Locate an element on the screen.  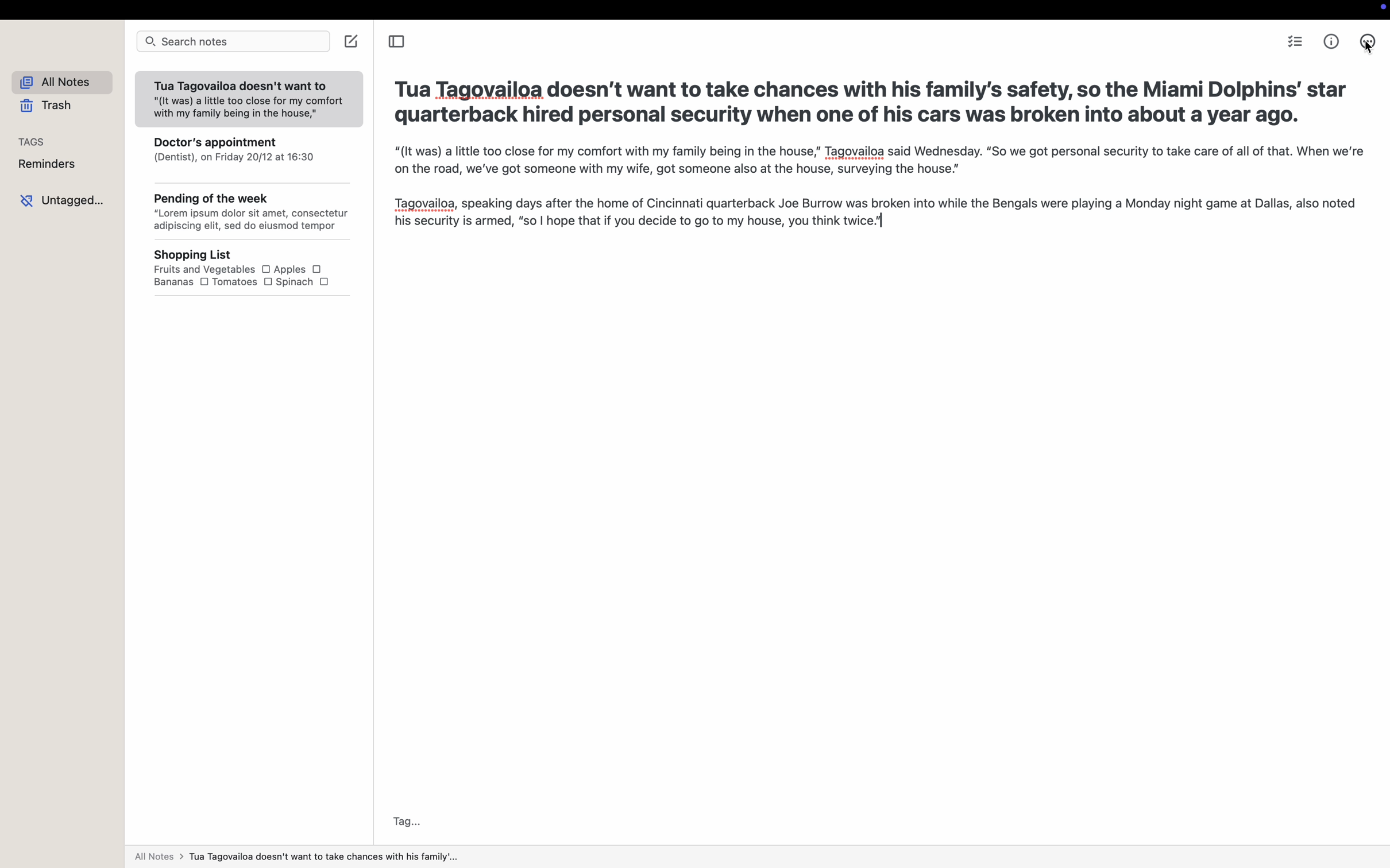
metrics is located at coordinates (1333, 41).